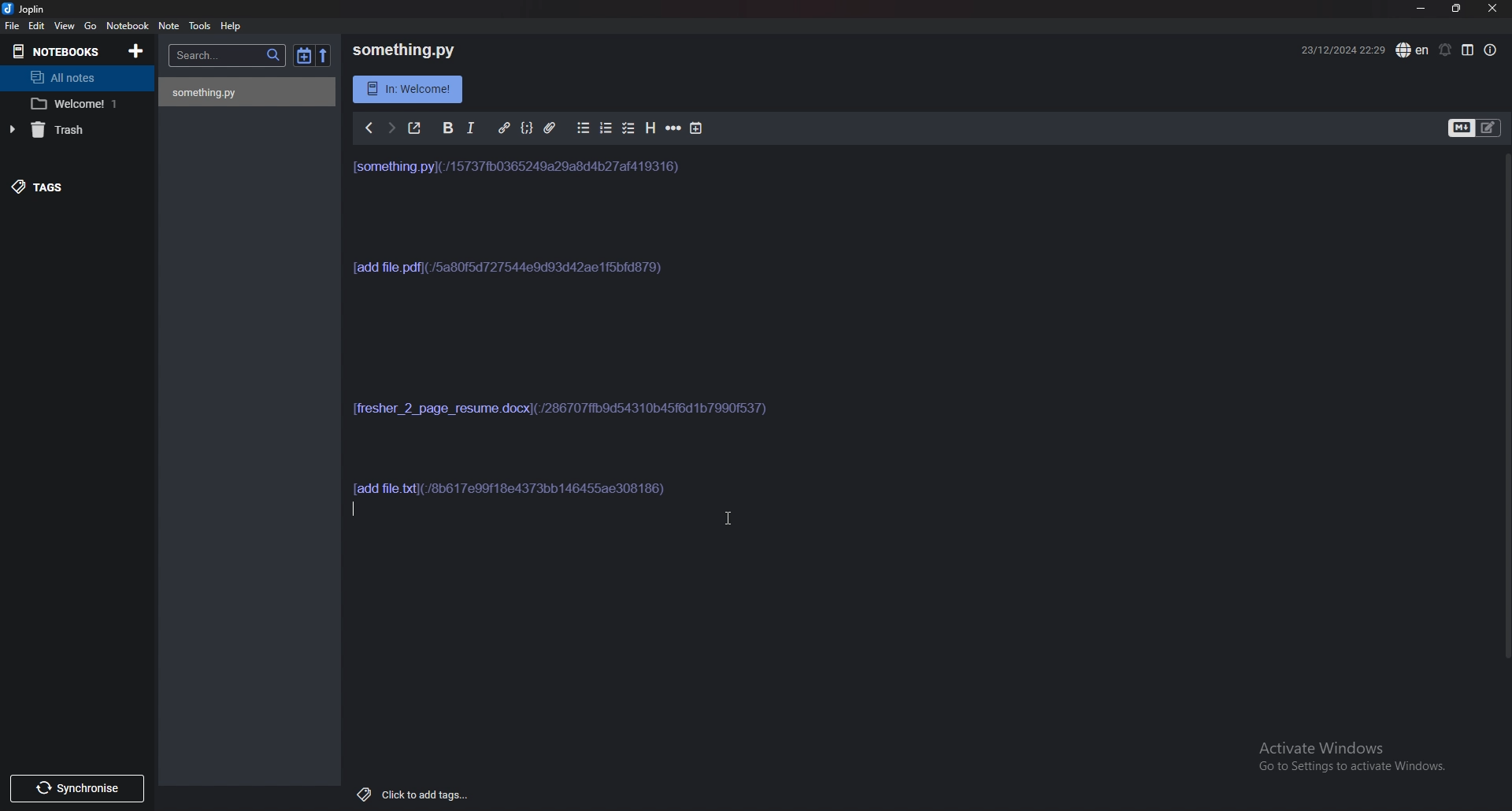 The image size is (1512, 811). What do you see at coordinates (605, 128) in the screenshot?
I see `Number list` at bounding box center [605, 128].